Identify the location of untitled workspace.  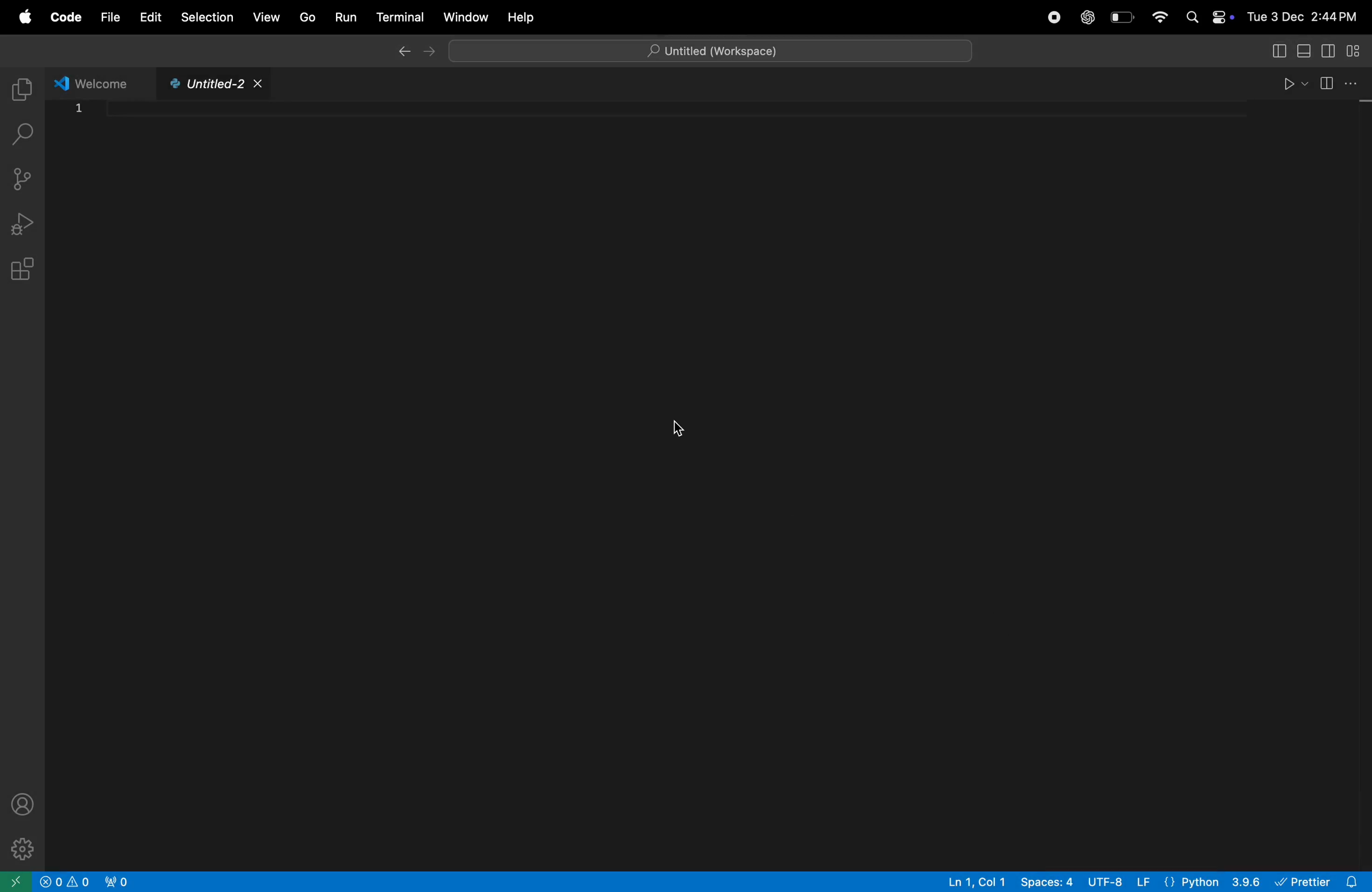
(694, 47).